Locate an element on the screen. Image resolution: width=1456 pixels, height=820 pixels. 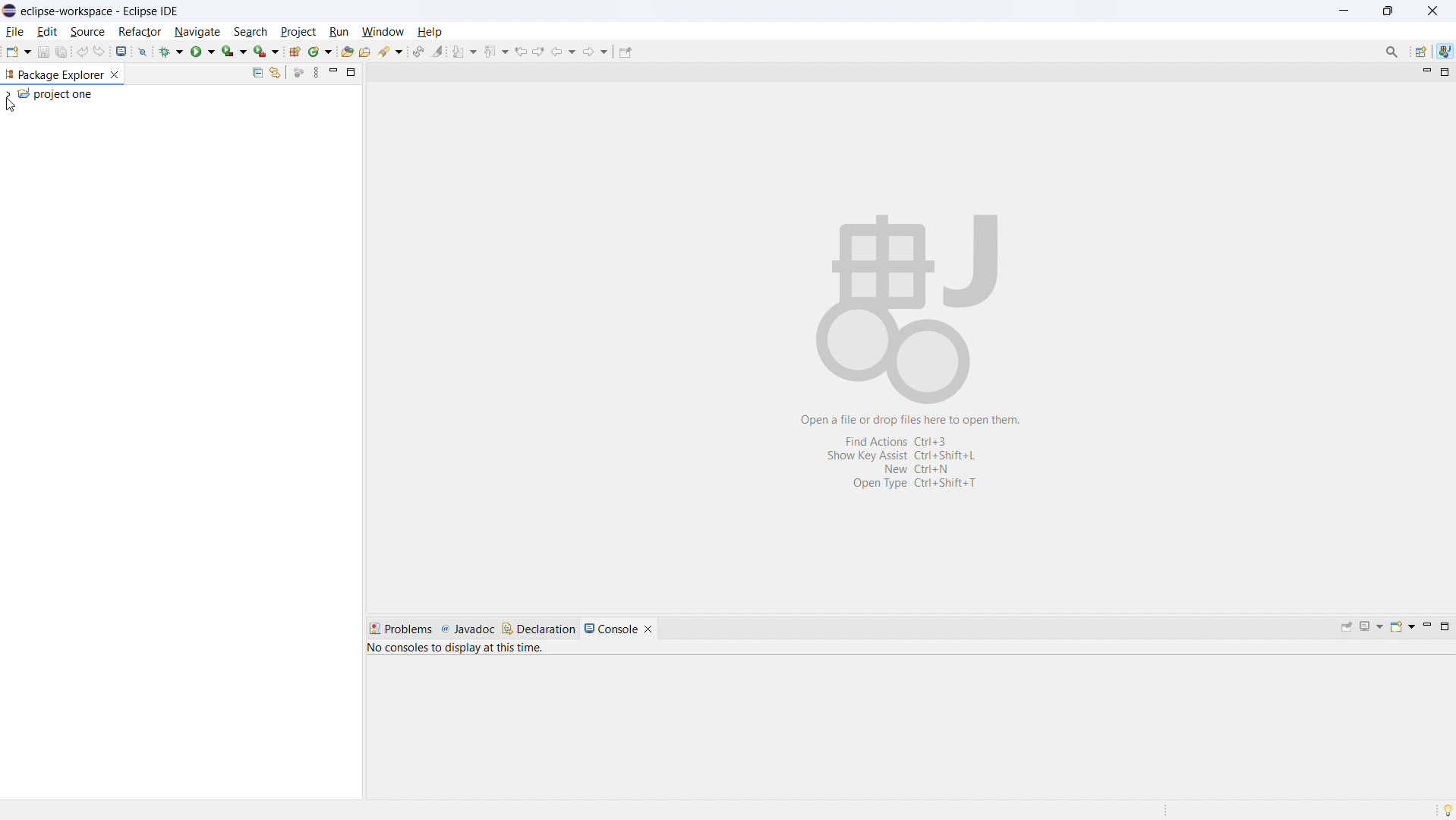
toggle ant mark occurances is located at coordinates (438, 50).